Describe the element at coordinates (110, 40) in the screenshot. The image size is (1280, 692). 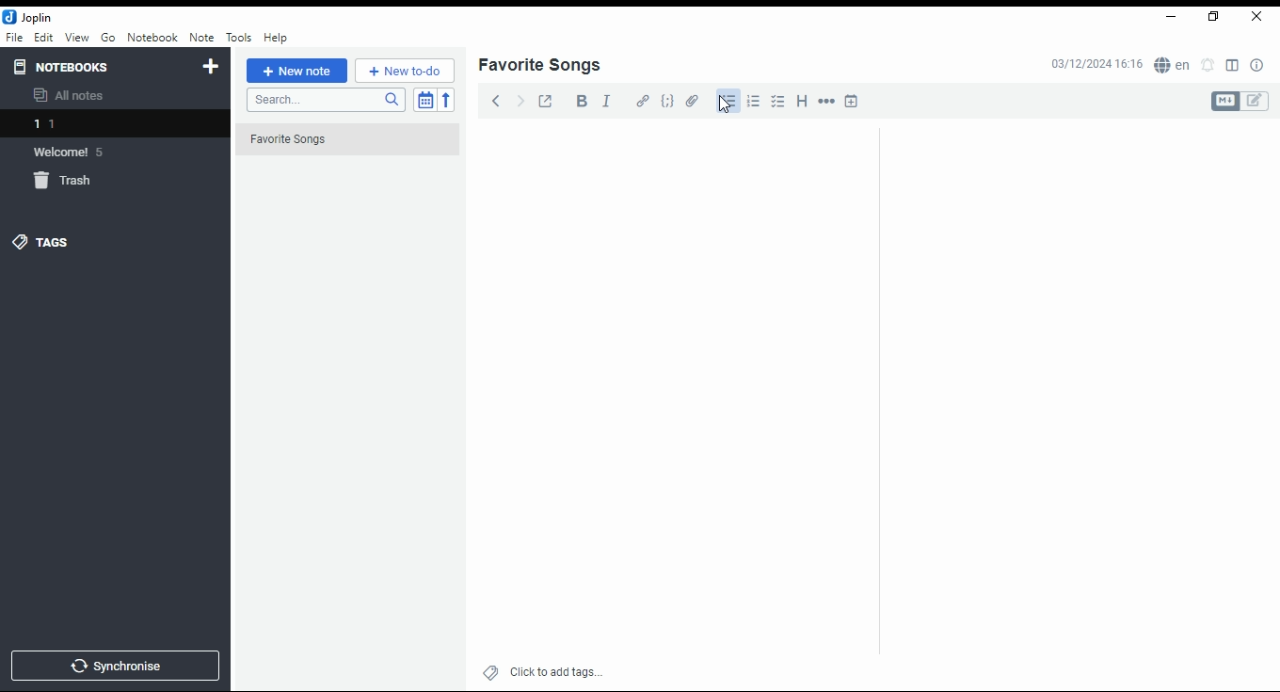
I see `go` at that location.